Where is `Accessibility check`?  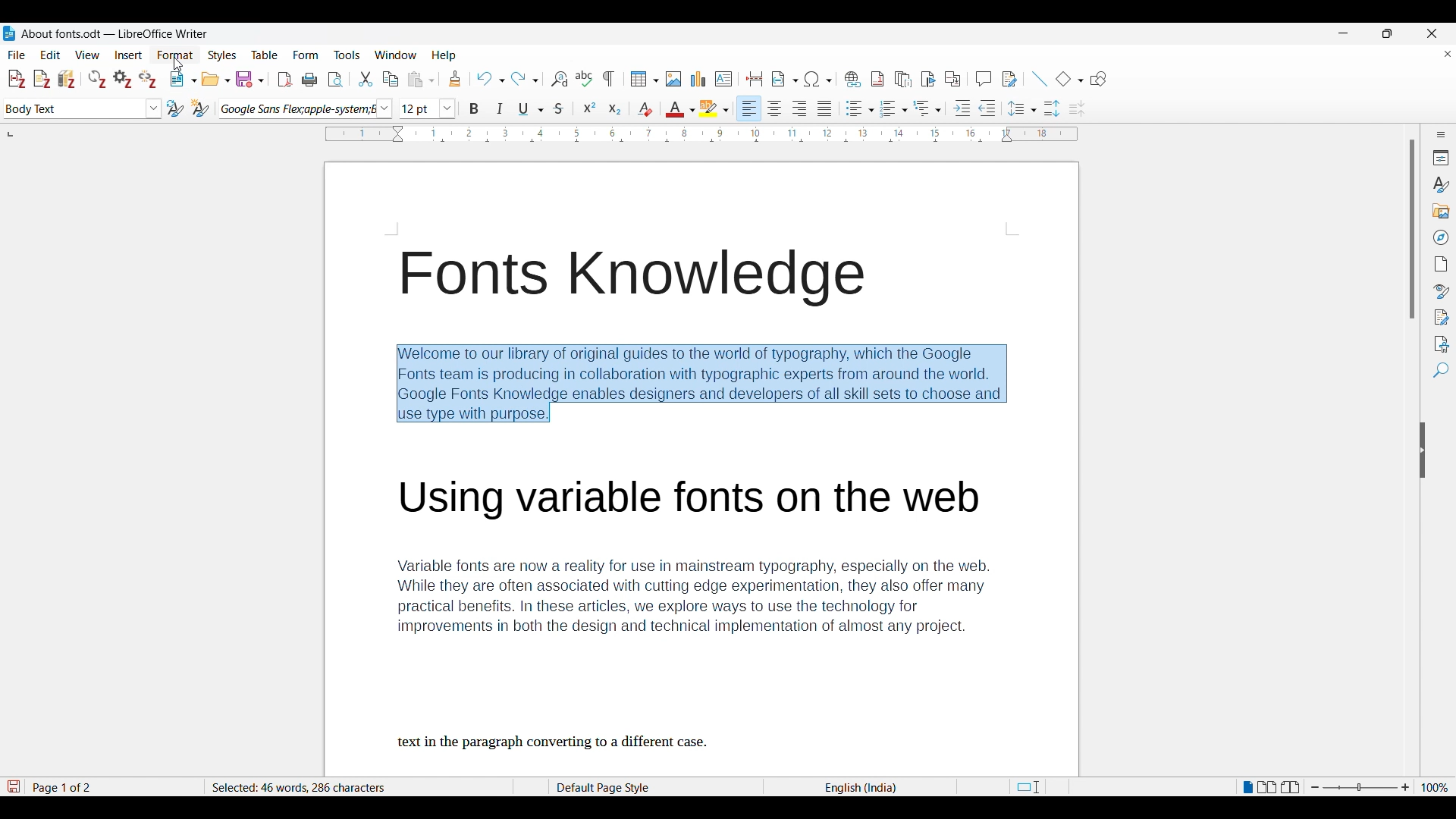 Accessibility check is located at coordinates (1442, 344).